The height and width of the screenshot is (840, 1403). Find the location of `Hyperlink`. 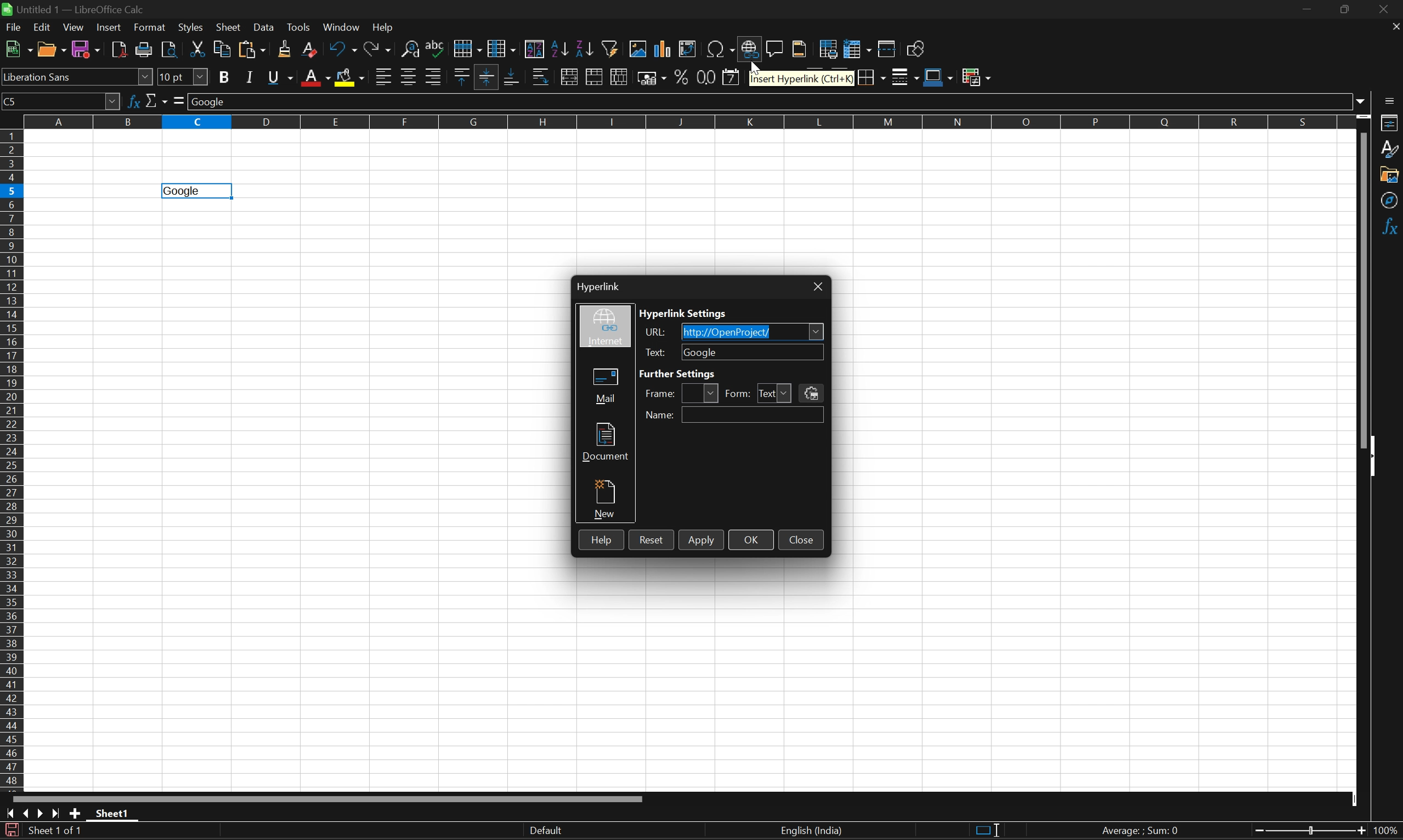

Hyperlink is located at coordinates (597, 286).